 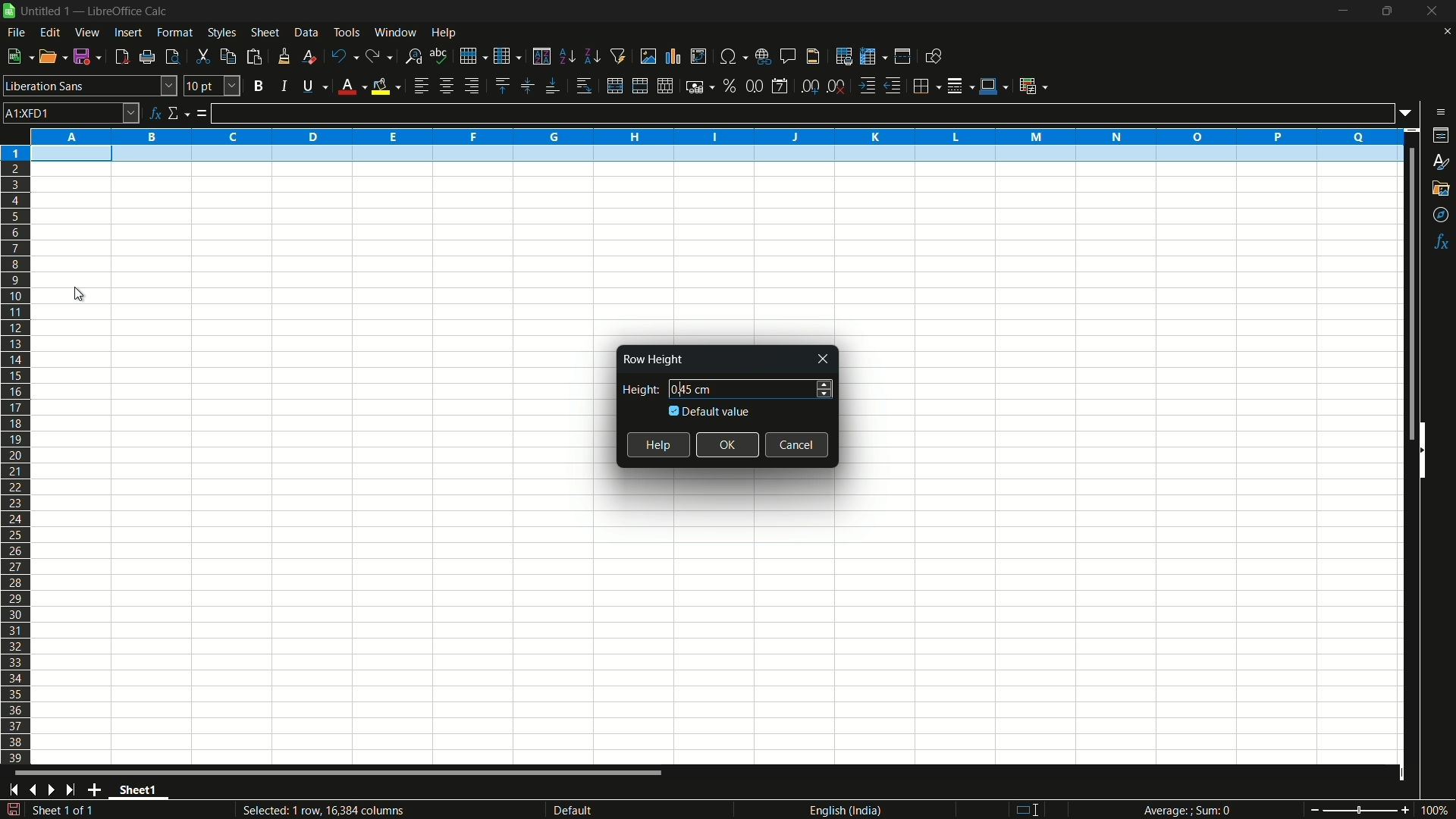 I want to click on insert special characters, so click(x=733, y=55).